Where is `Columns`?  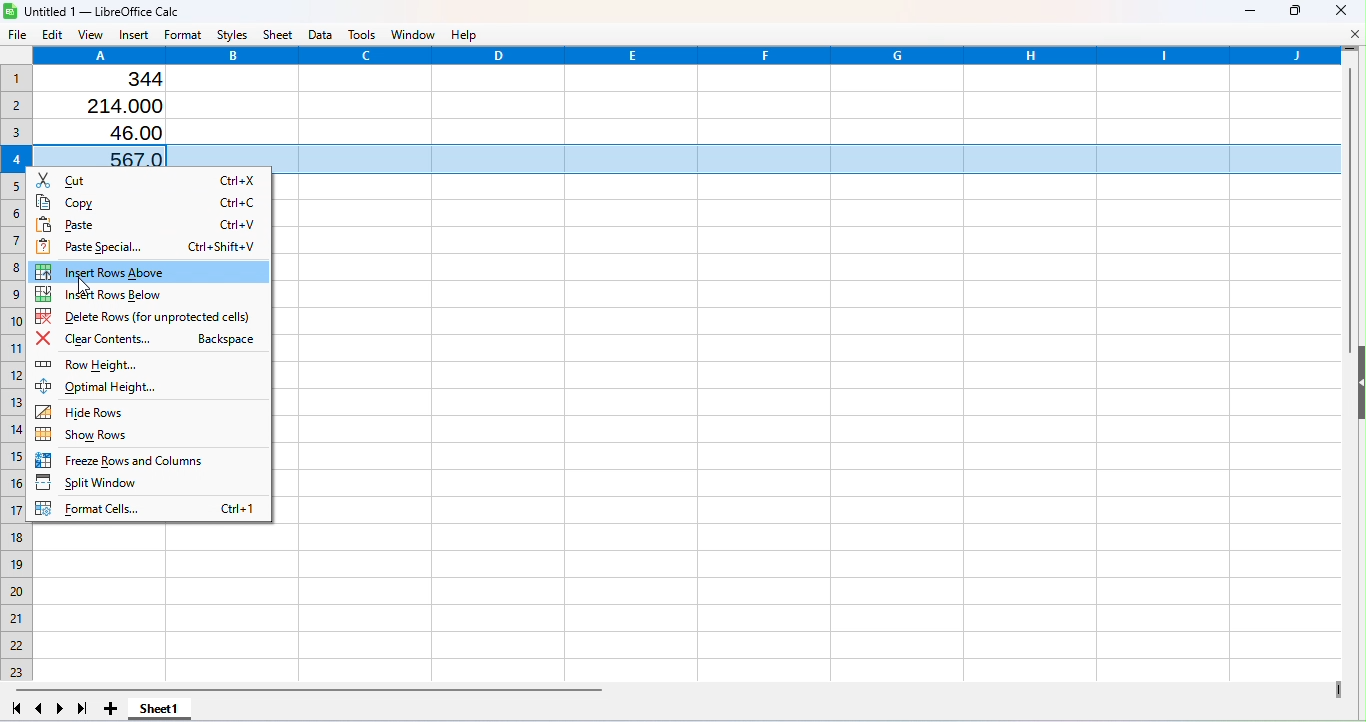
Columns is located at coordinates (688, 55).